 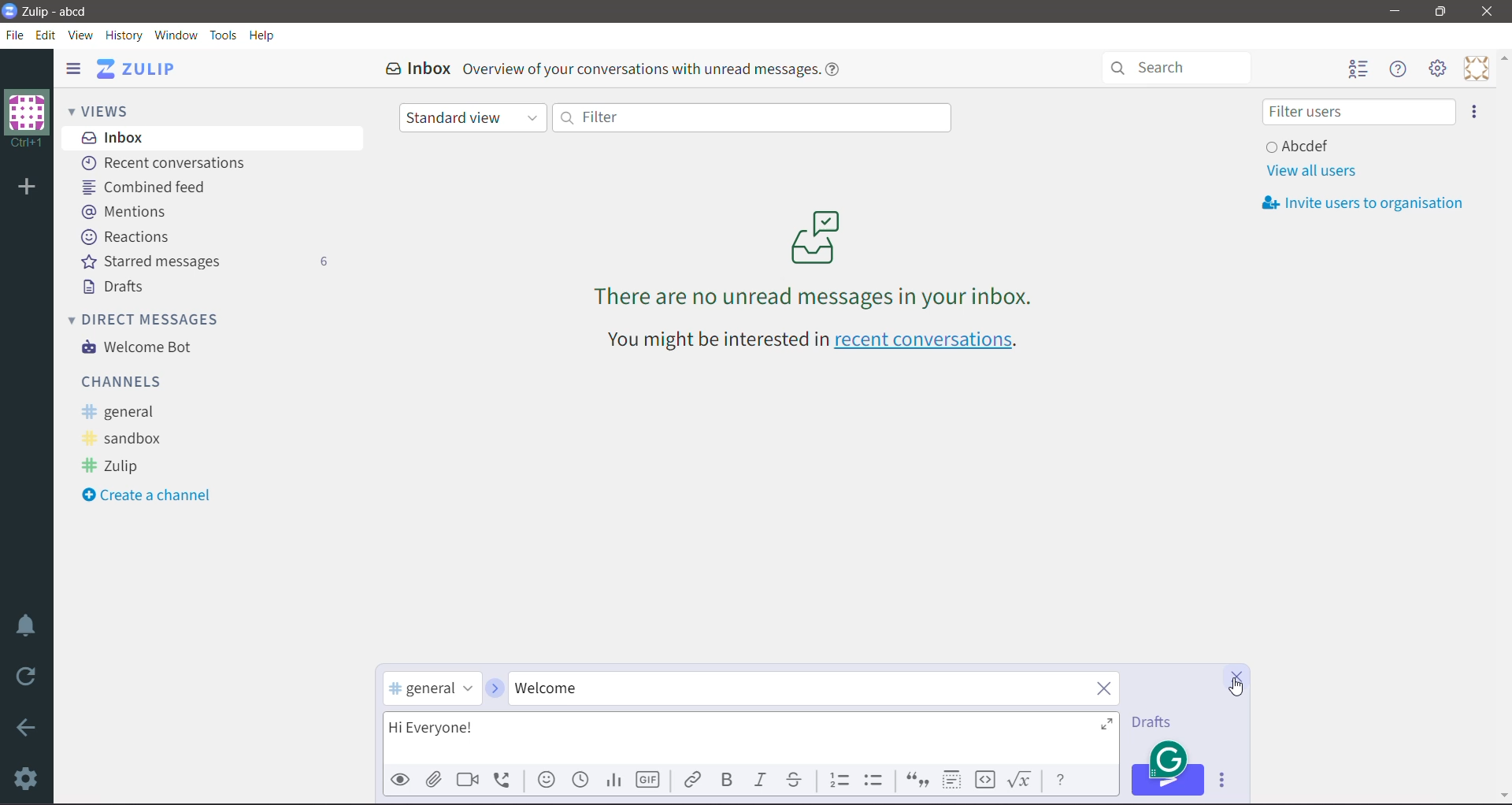 What do you see at coordinates (15, 35) in the screenshot?
I see `File` at bounding box center [15, 35].